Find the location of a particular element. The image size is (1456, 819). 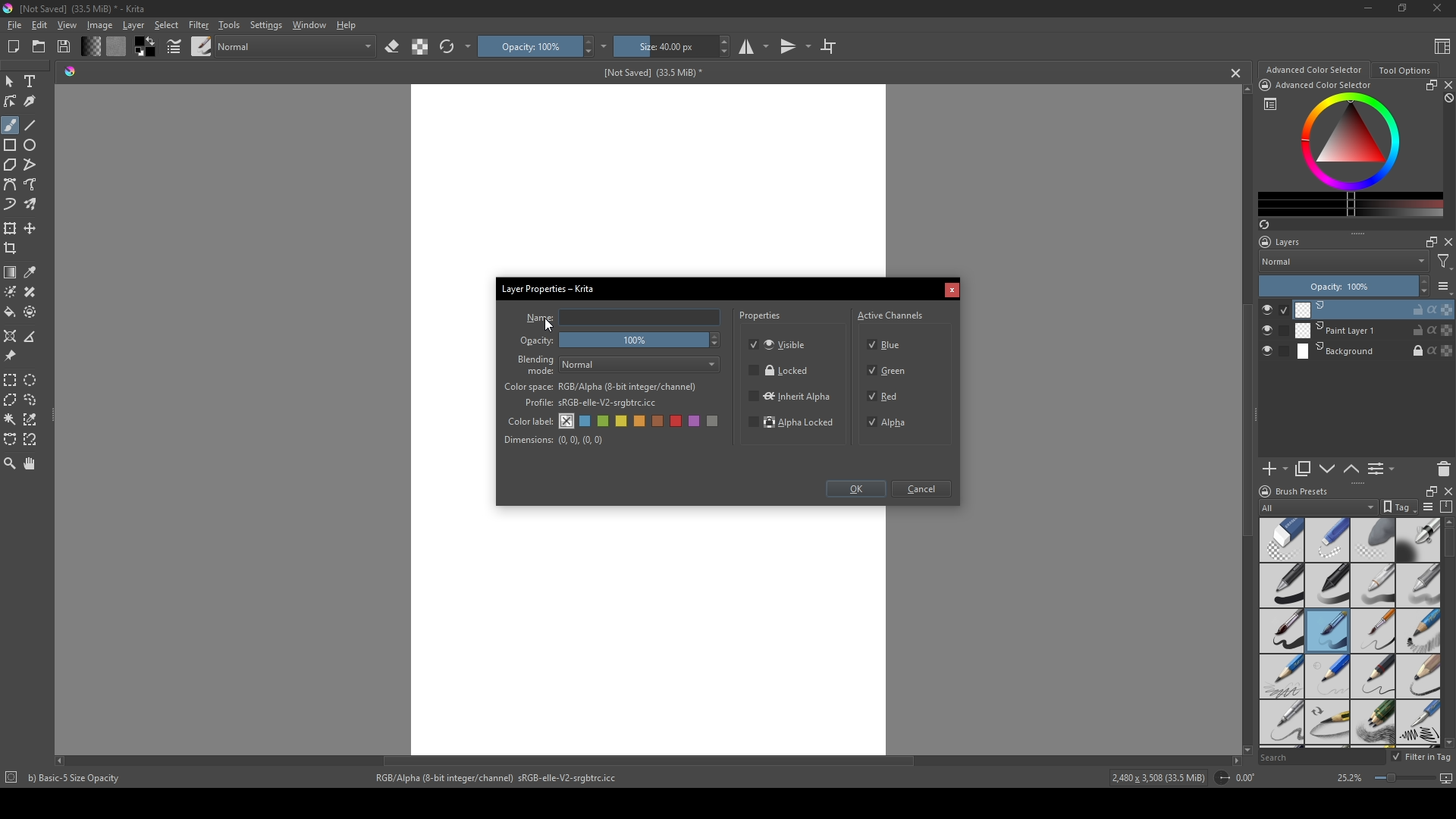

list is located at coordinates (1270, 104).